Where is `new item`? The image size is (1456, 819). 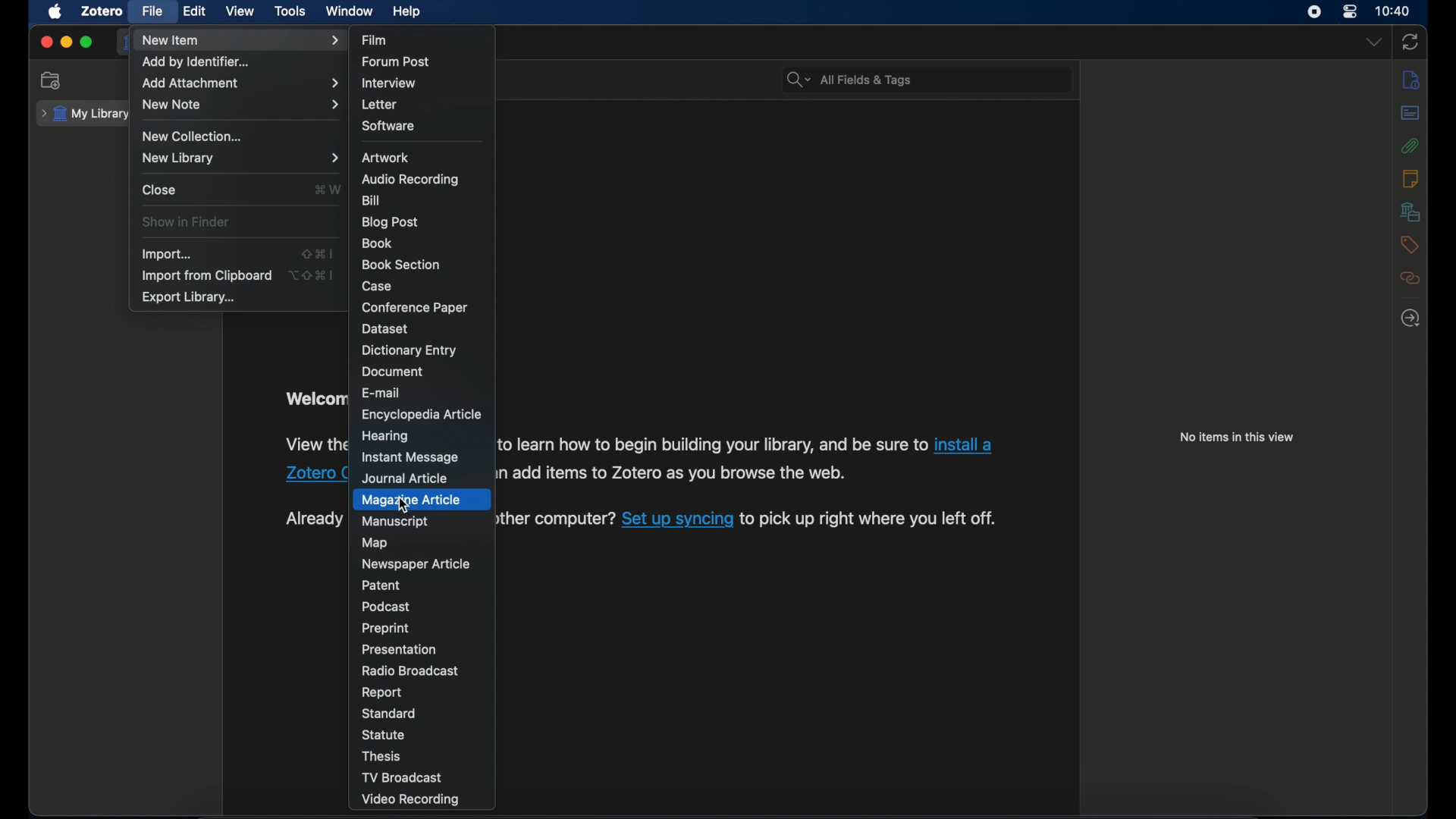 new item is located at coordinates (240, 41).